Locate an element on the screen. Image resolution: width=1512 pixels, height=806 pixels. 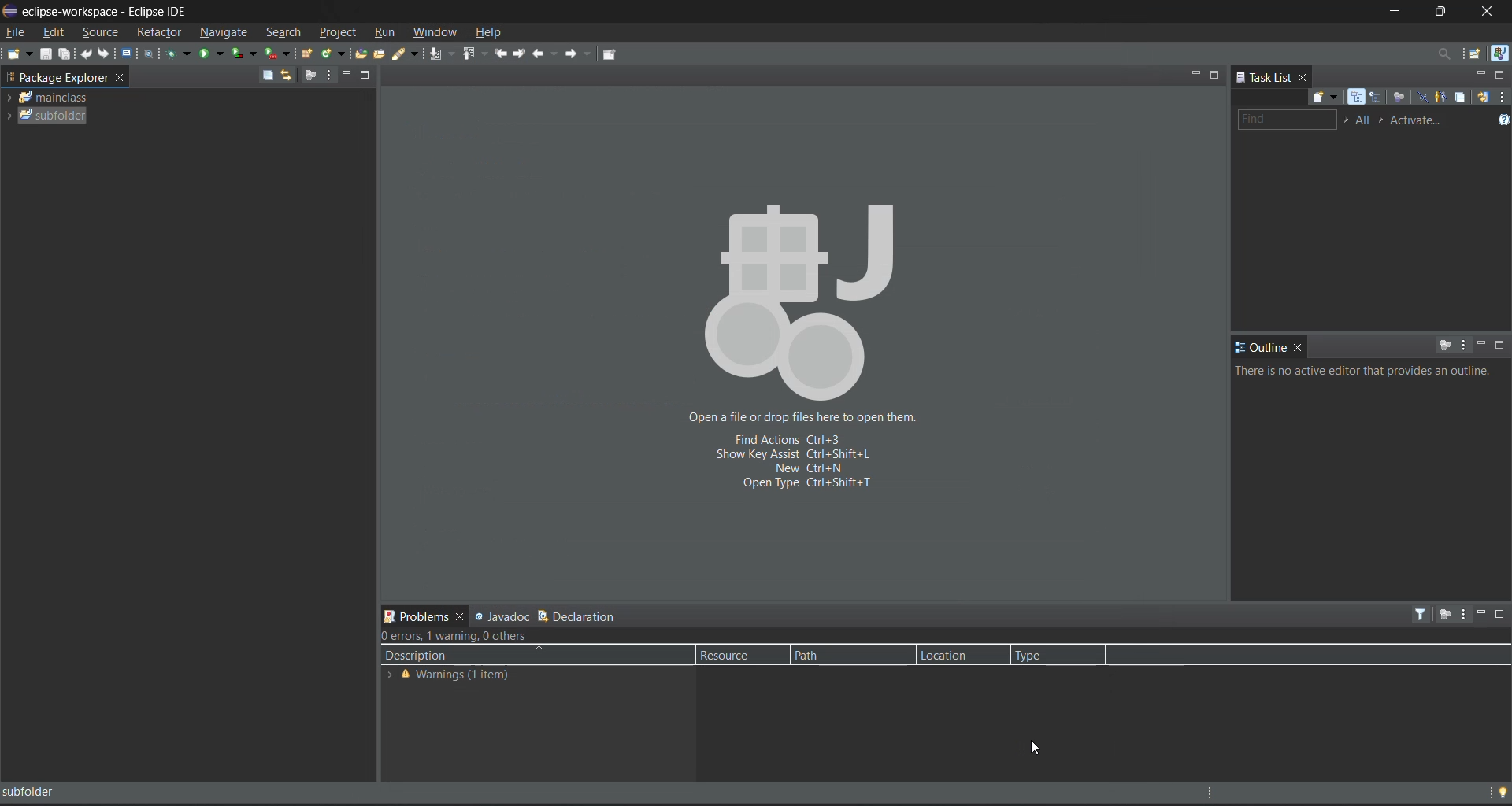
minimize is located at coordinates (1480, 346).